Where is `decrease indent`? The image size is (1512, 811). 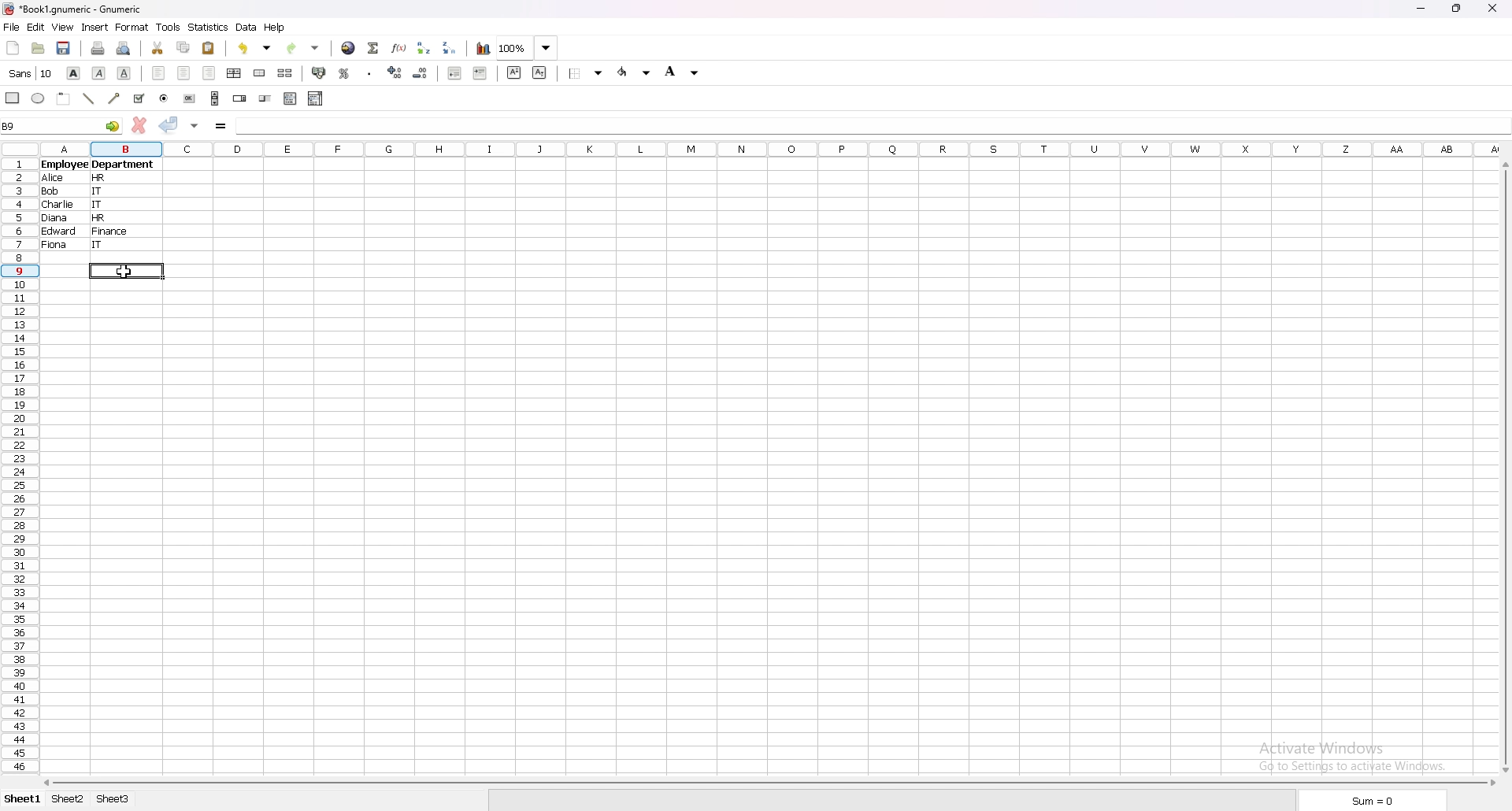 decrease indent is located at coordinates (454, 73).